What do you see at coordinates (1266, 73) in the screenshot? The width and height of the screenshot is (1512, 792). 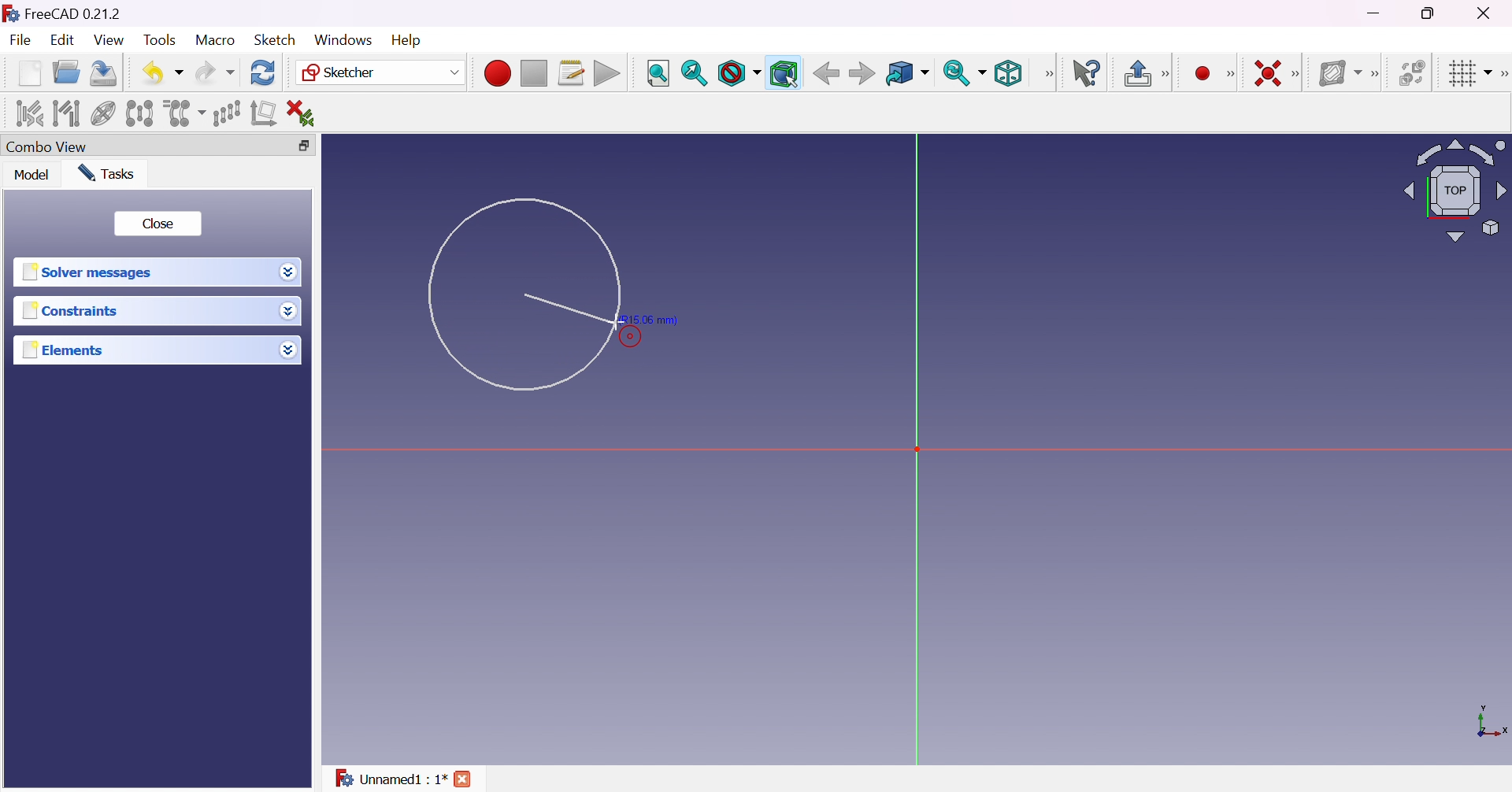 I see `Constrain coincident` at bounding box center [1266, 73].